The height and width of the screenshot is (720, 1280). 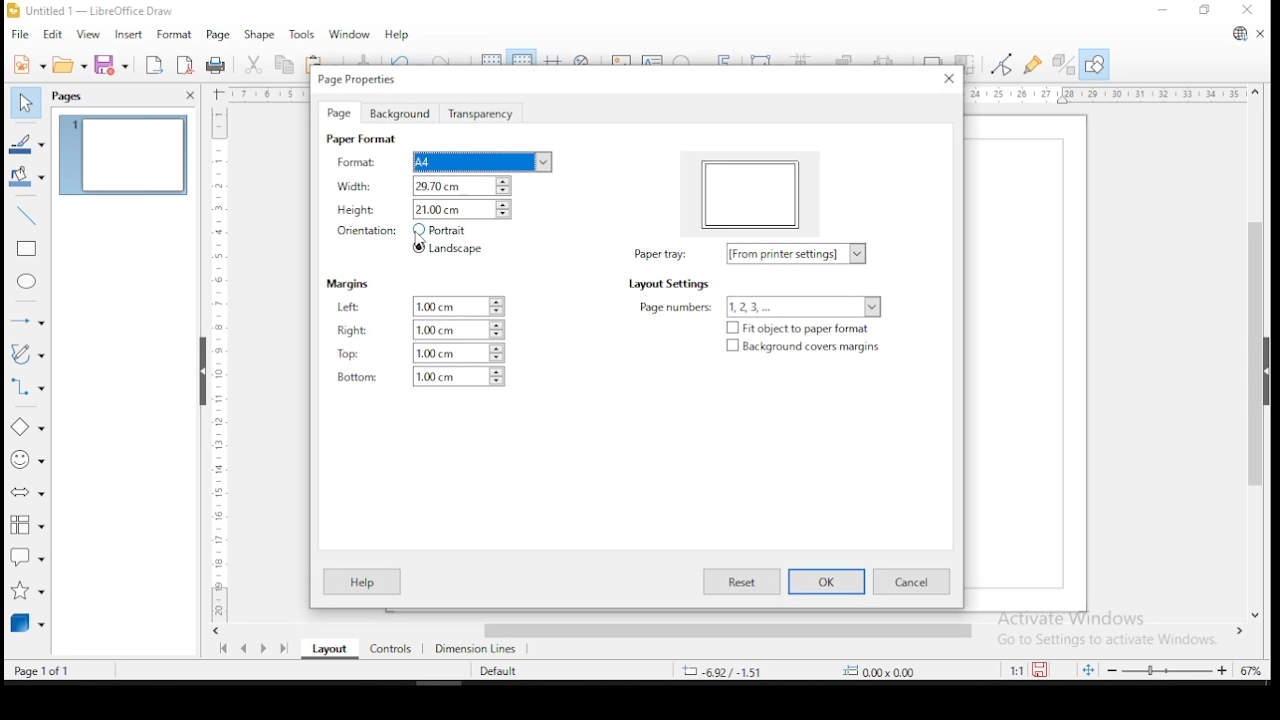 I want to click on save, so click(x=114, y=65).